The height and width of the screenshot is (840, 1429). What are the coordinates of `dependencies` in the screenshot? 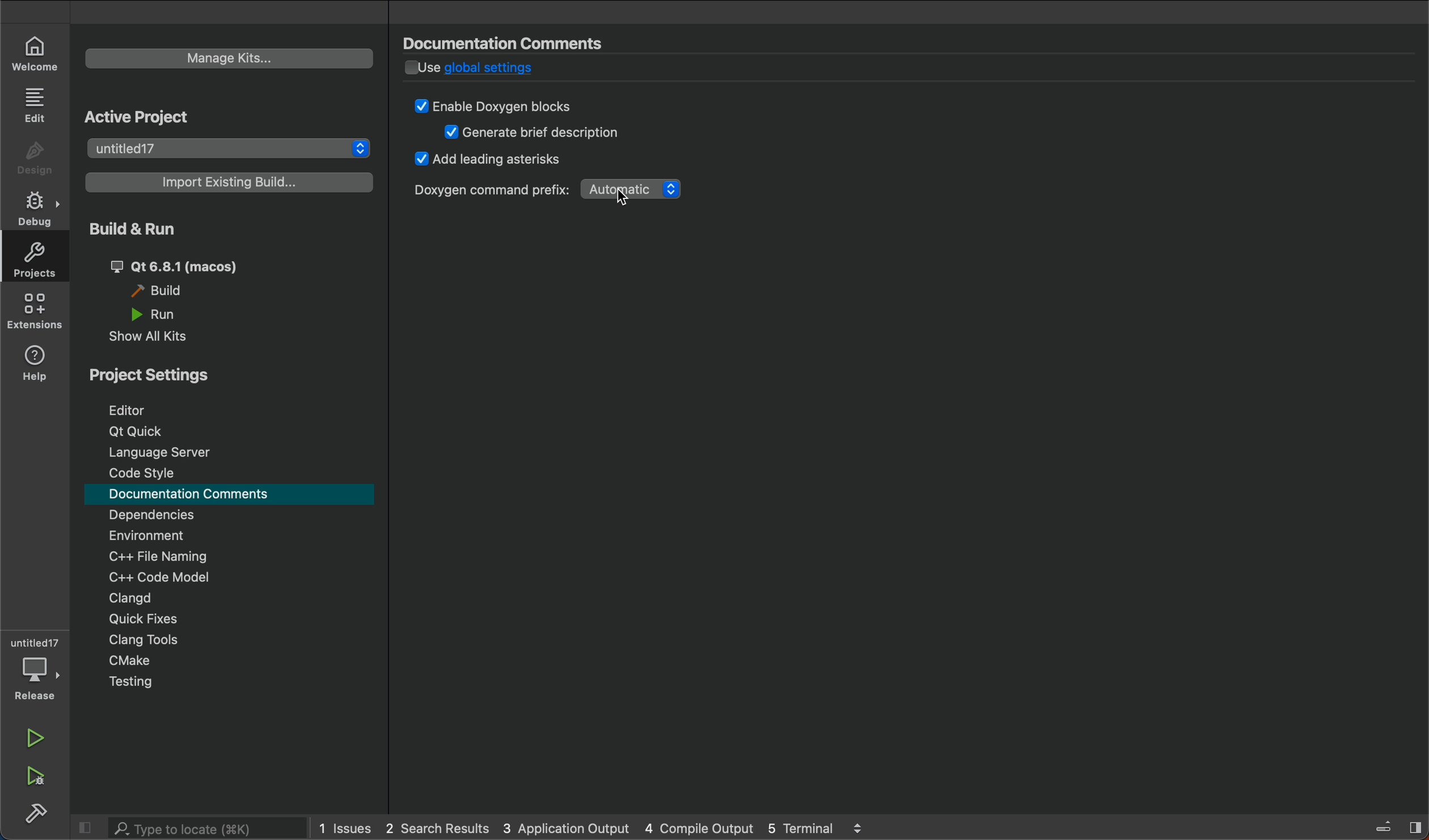 It's located at (160, 515).